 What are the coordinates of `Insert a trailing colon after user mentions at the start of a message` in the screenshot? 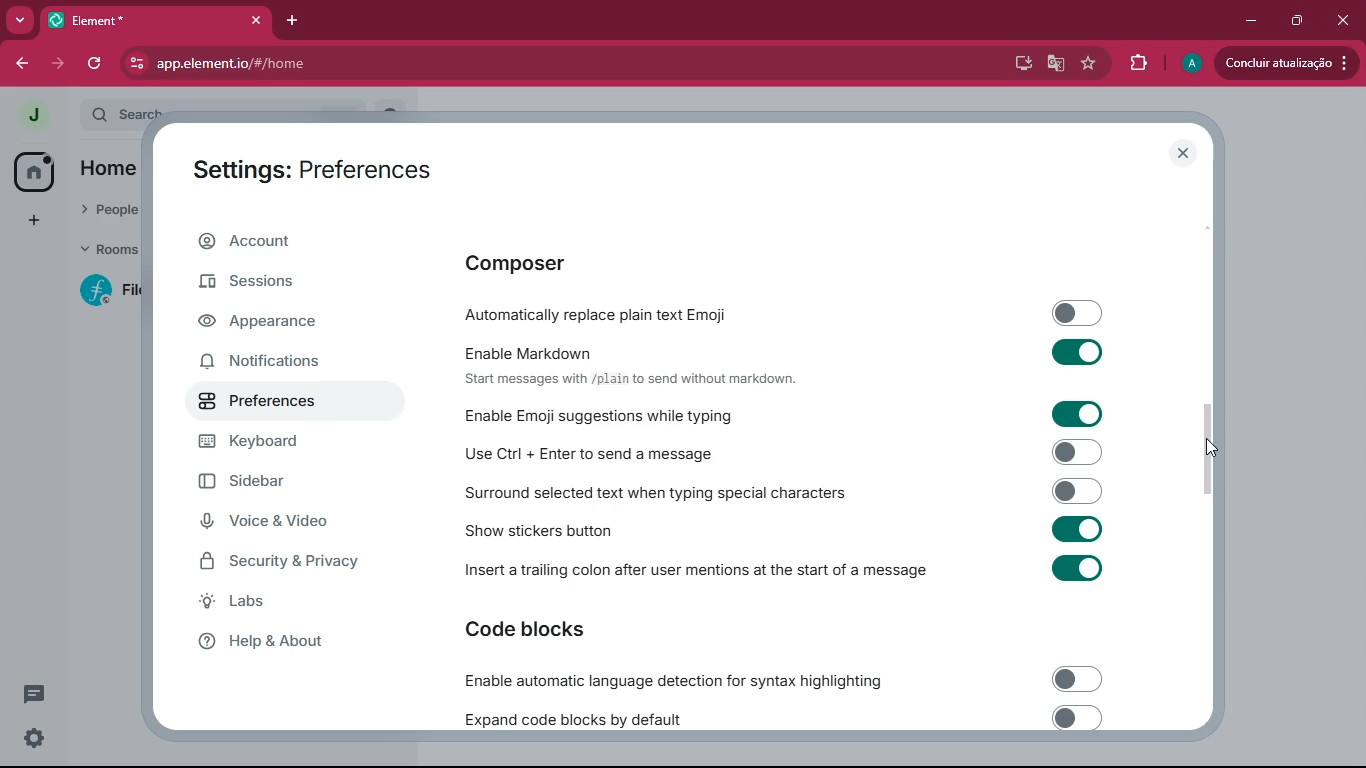 It's located at (775, 570).